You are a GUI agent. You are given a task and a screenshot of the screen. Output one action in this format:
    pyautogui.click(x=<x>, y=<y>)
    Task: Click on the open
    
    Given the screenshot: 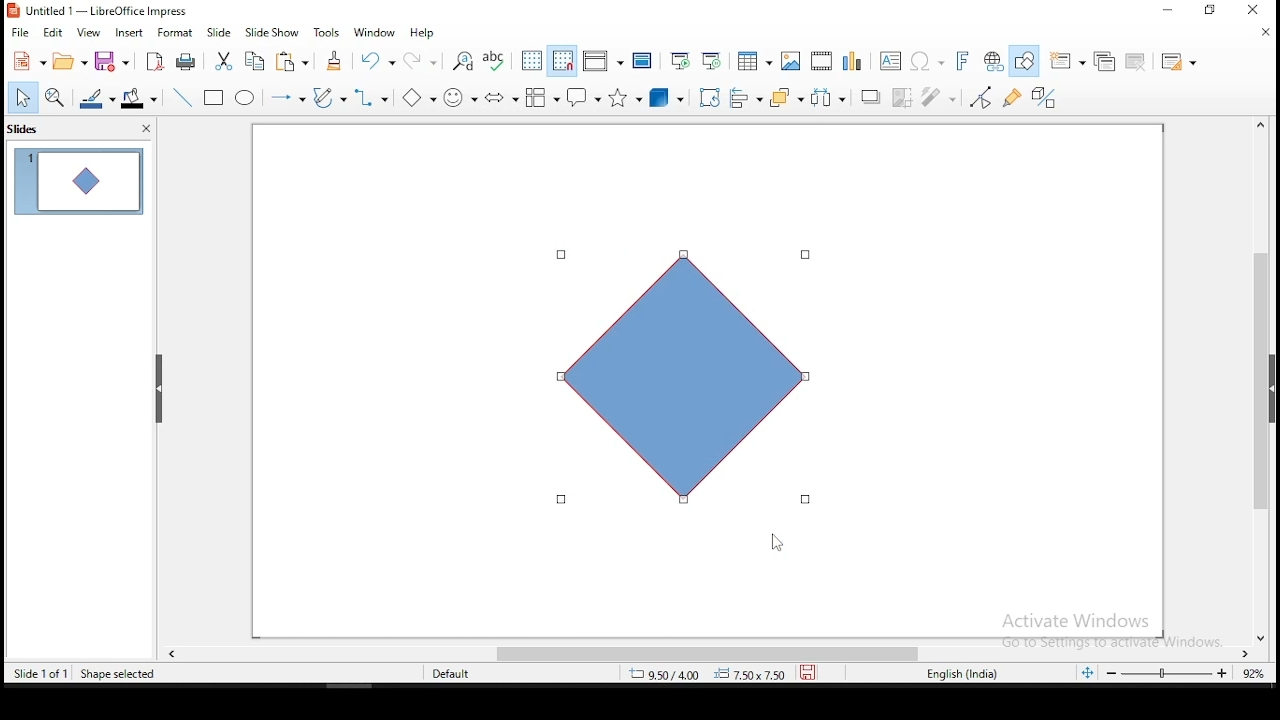 What is the action you would take?
    pyautogui.click(x=68, y=61)
    